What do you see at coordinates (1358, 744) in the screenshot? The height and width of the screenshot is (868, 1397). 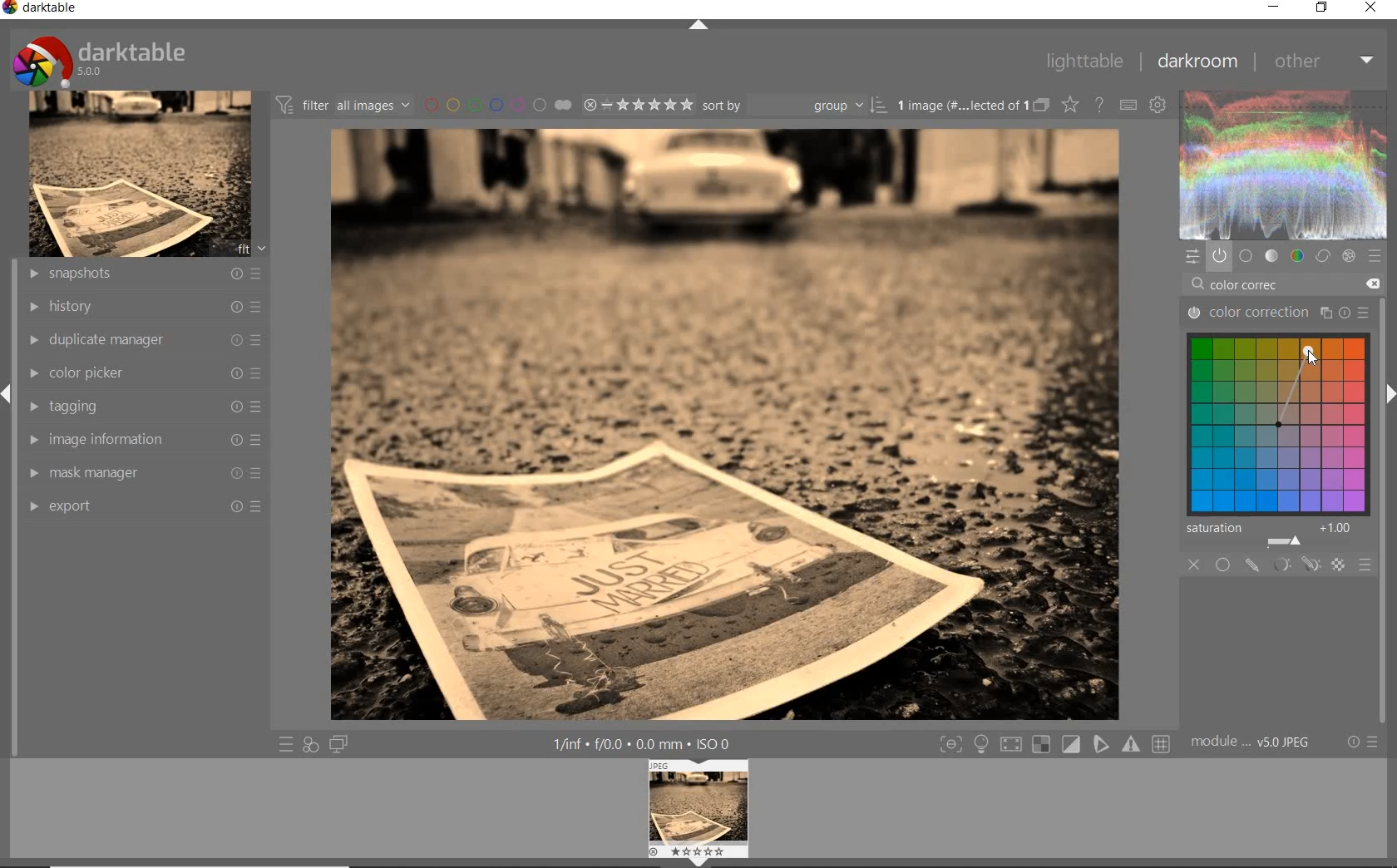 I see `reset or preset & preference` at bounding box center [1358, 744].